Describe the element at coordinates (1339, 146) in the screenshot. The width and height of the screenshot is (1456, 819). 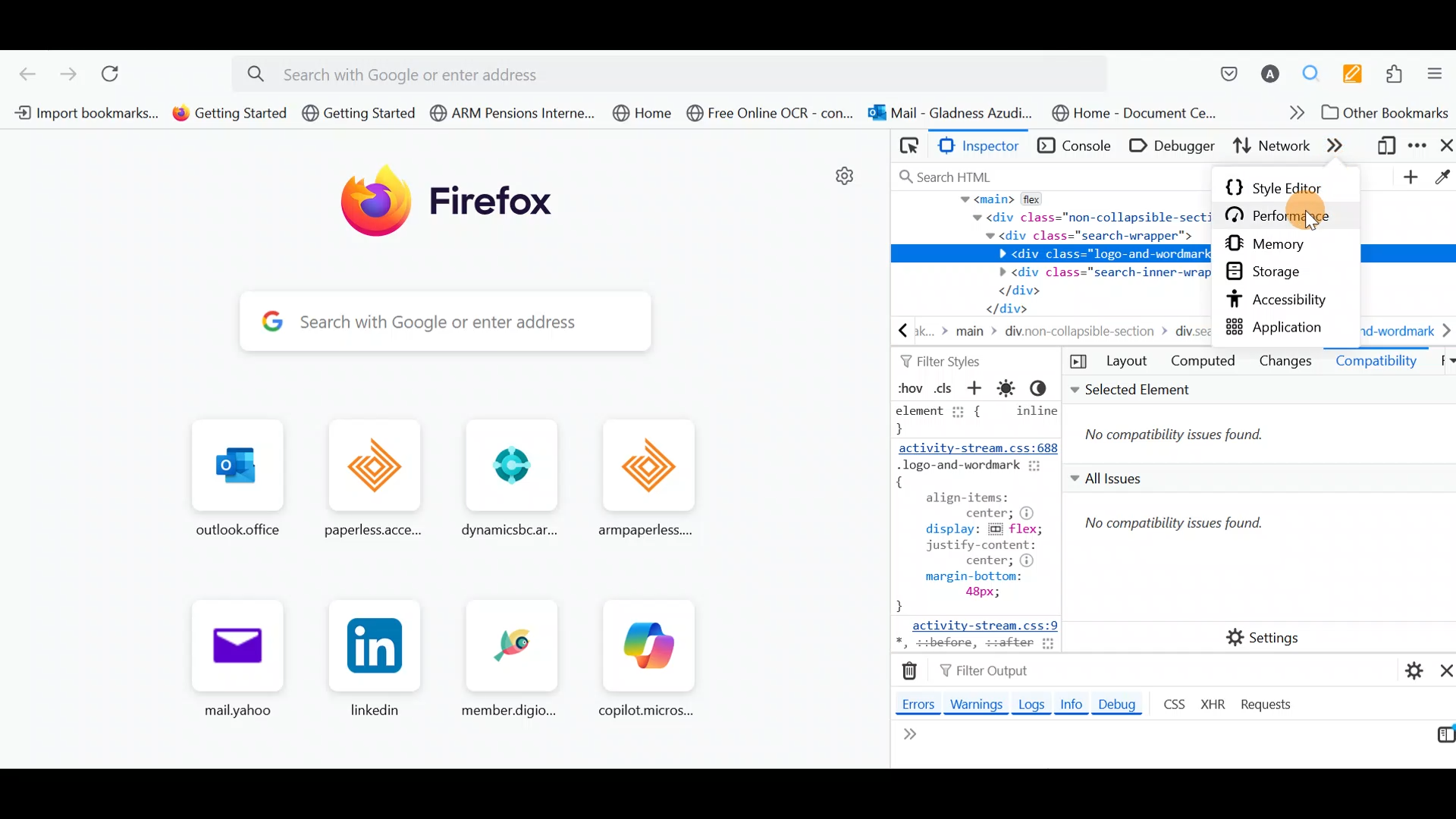
I see `More tabs` at that location.